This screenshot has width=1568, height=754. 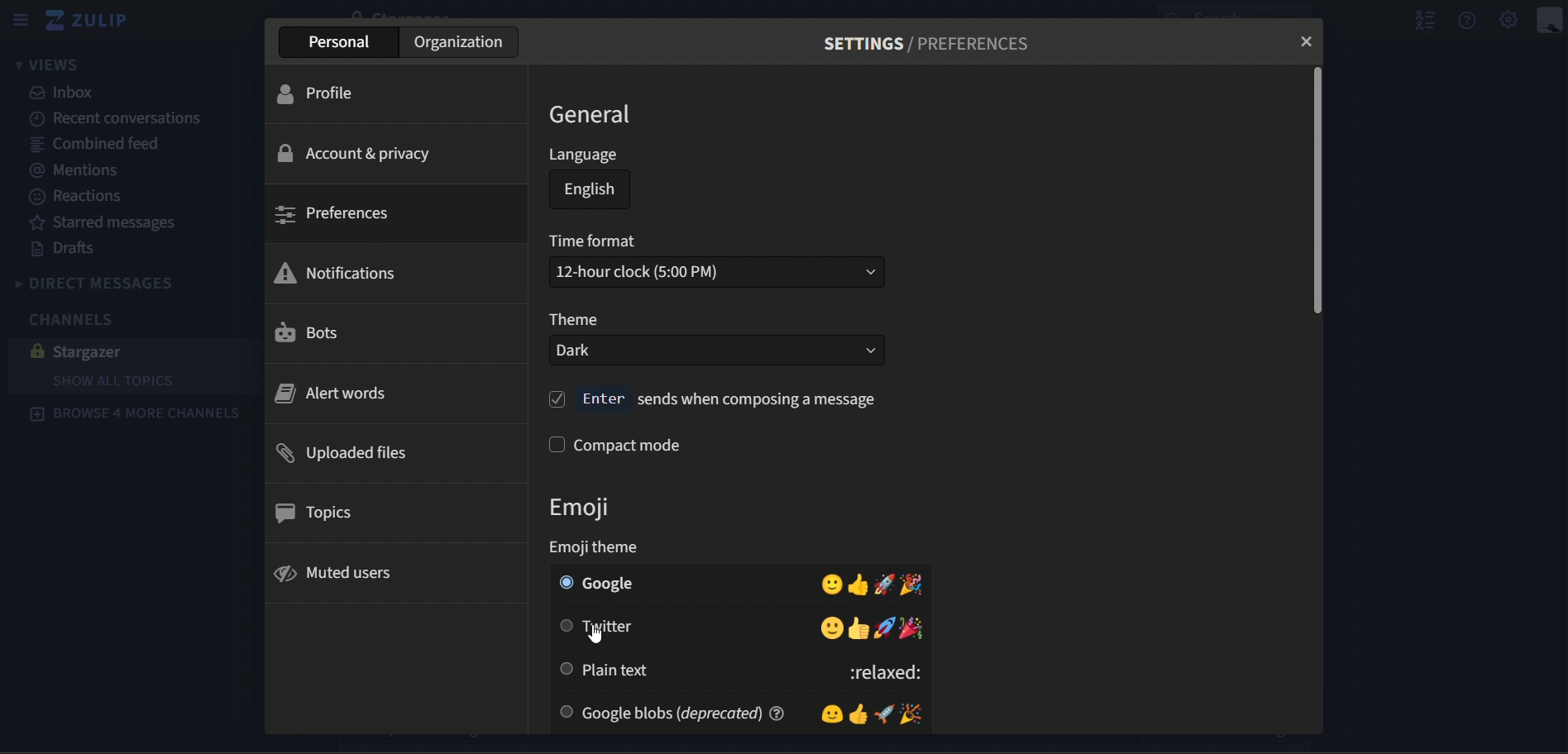 What do you see at coordinates (719, 272) in the screenshot?
I see `12-hour clock (5:00 PM)` at bounding box center [719, 272].